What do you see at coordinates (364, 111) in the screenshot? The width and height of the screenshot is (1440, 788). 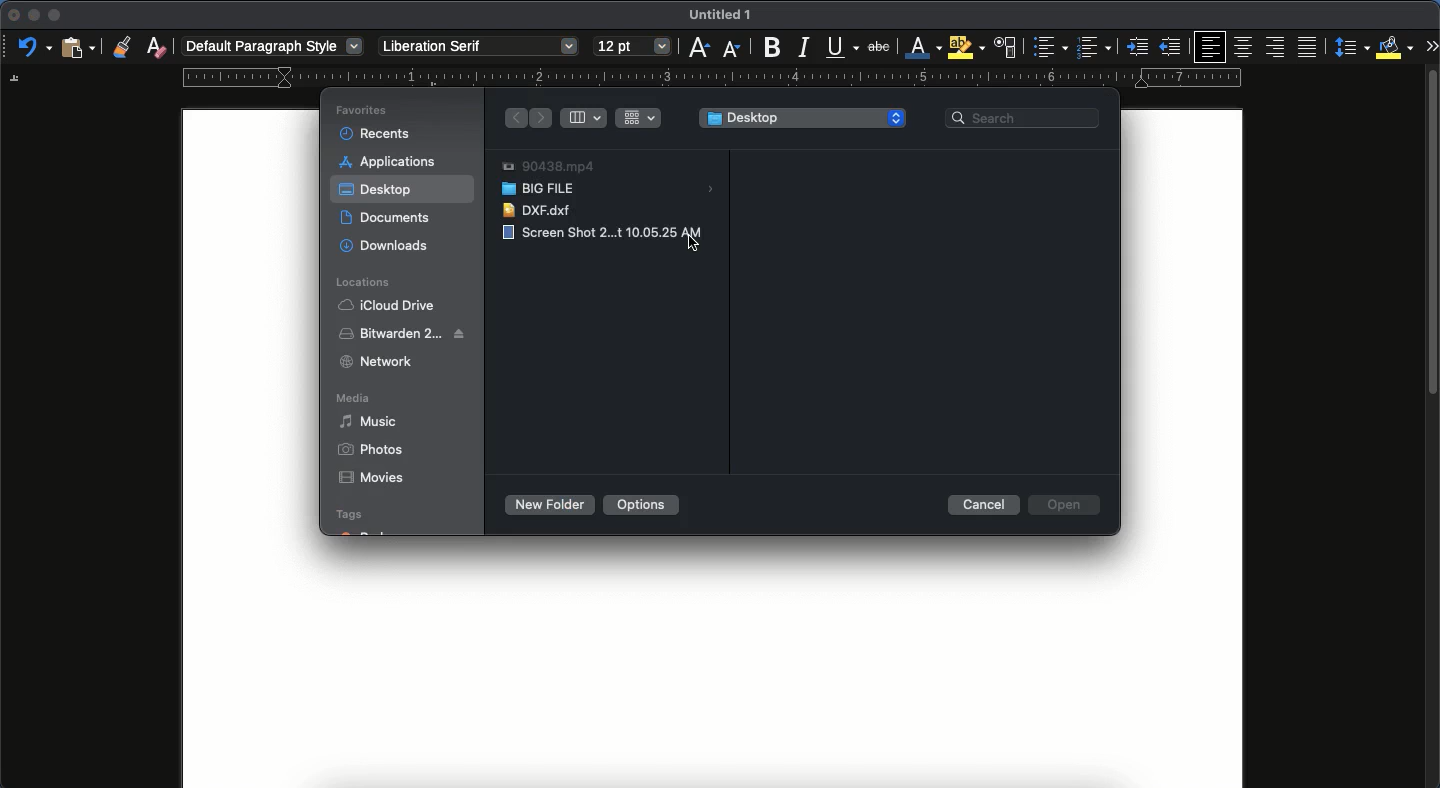 I see `favorite` at bounding box center [364, 111].